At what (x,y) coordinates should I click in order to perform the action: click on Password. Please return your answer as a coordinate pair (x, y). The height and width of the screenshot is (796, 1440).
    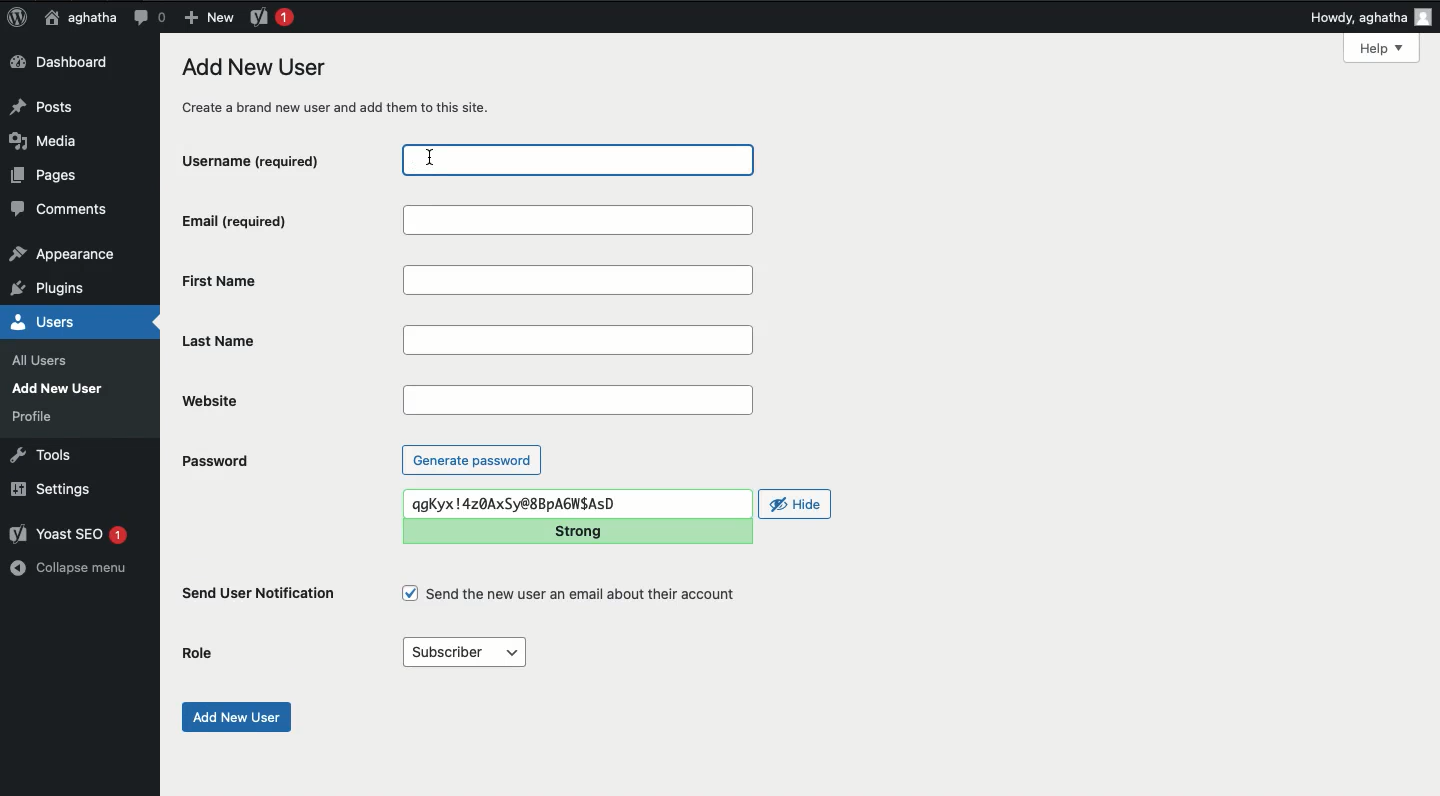
    Looking at the image, I should click on (214, 461).